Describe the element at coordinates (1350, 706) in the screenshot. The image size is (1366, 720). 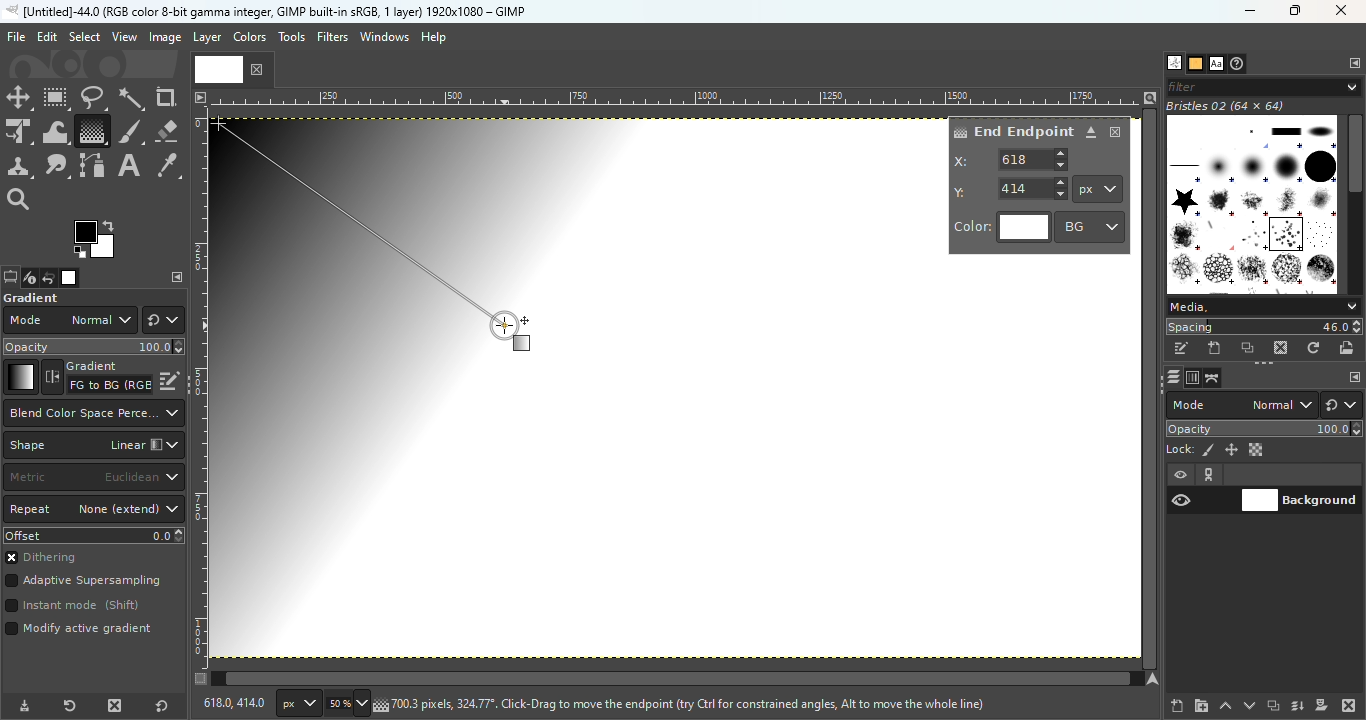
I see `Delete this layer` at that location.